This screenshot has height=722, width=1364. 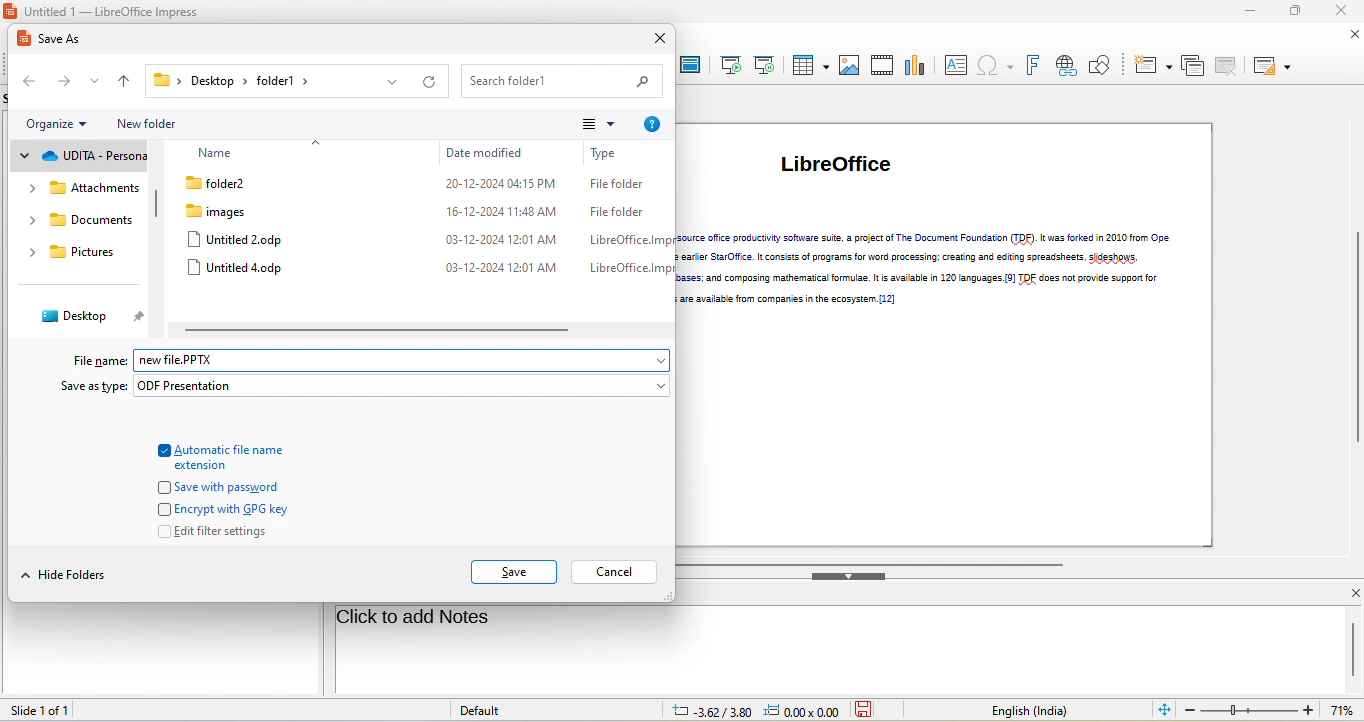 I want to click on new folder, so click(x=151, y=126).